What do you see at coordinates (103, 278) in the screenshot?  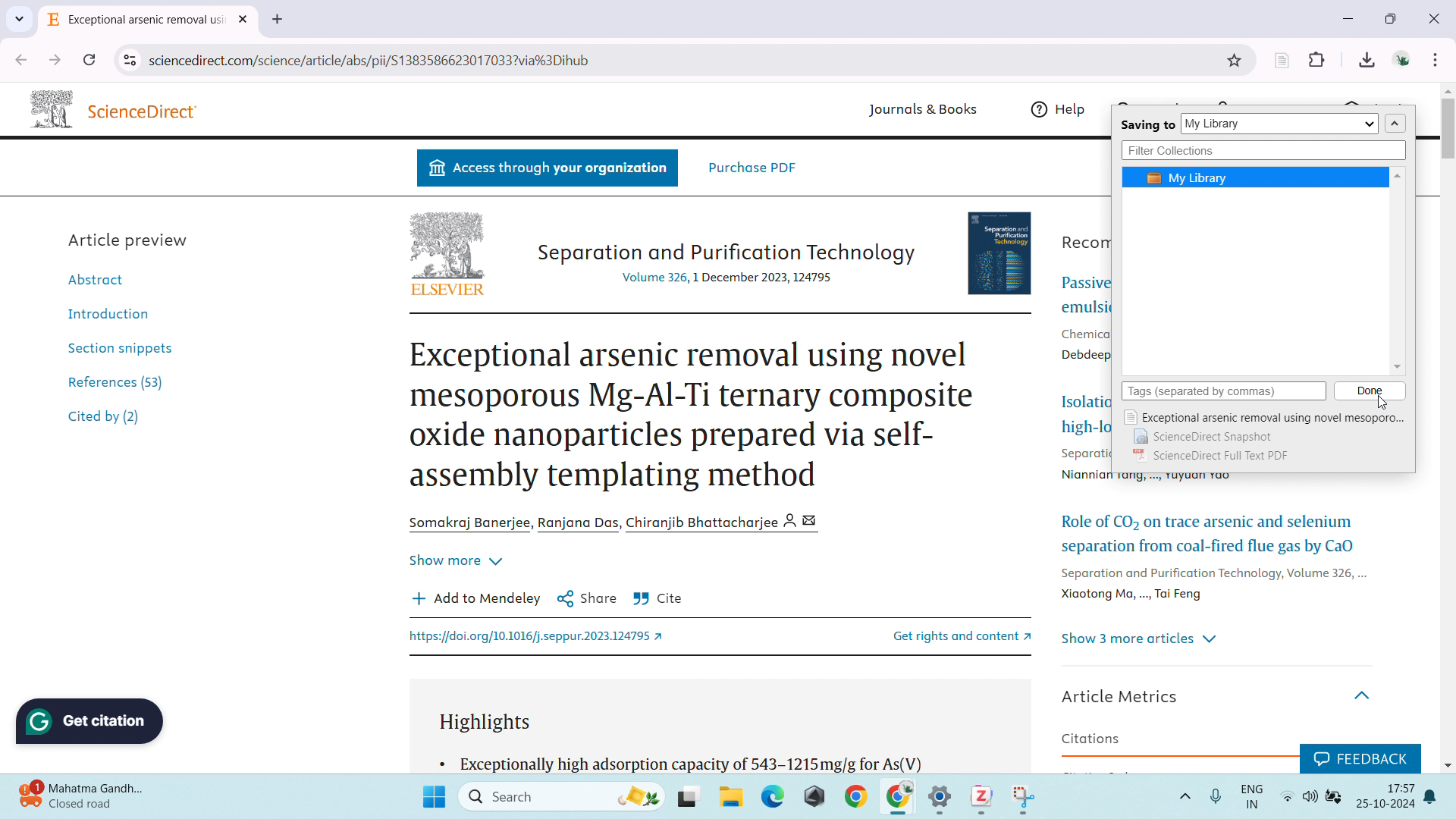 I see `Abstract` at bounding box center [103, 278].